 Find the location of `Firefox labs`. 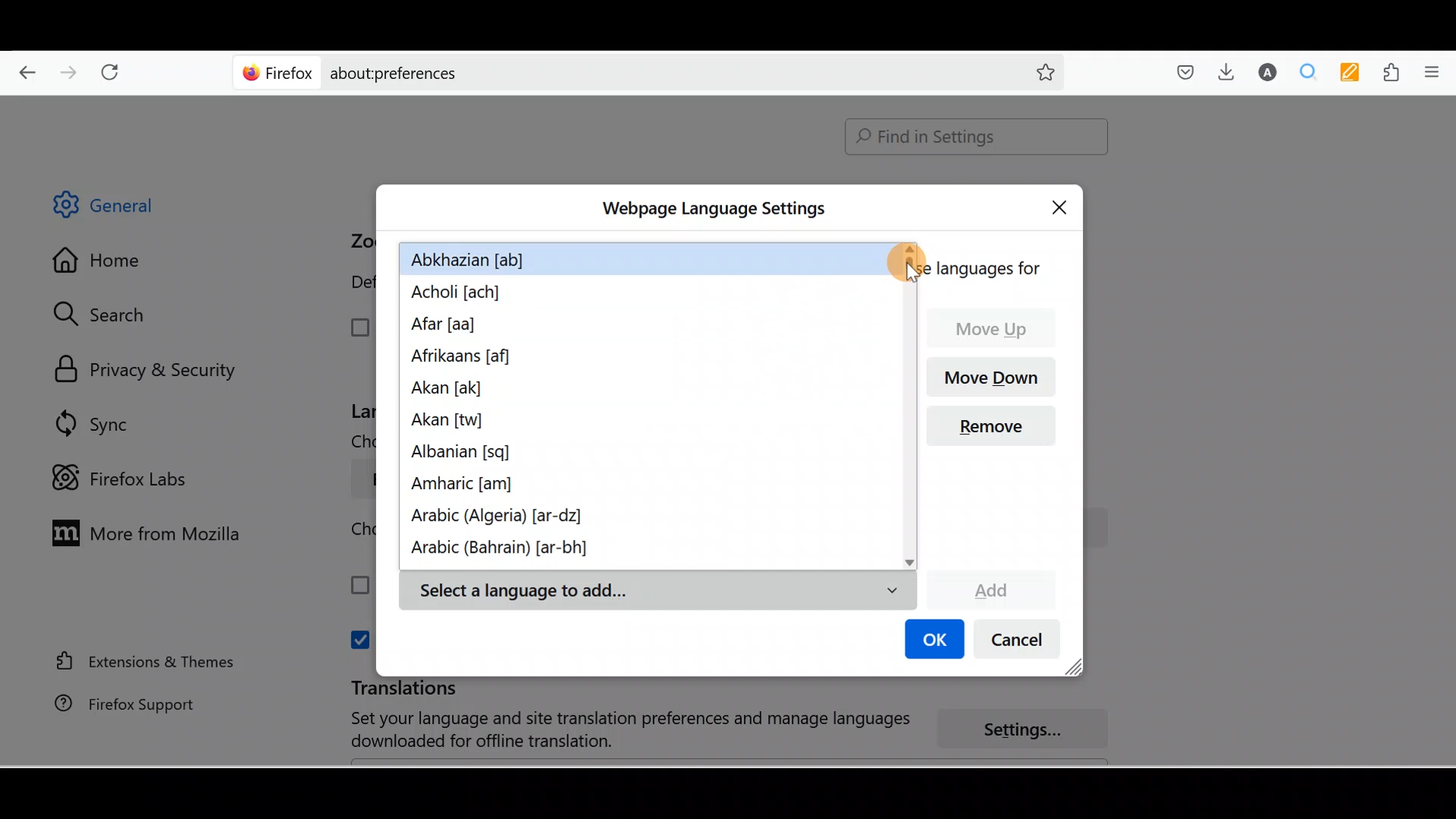

Firefox labs is located at coordinates (124, 479).